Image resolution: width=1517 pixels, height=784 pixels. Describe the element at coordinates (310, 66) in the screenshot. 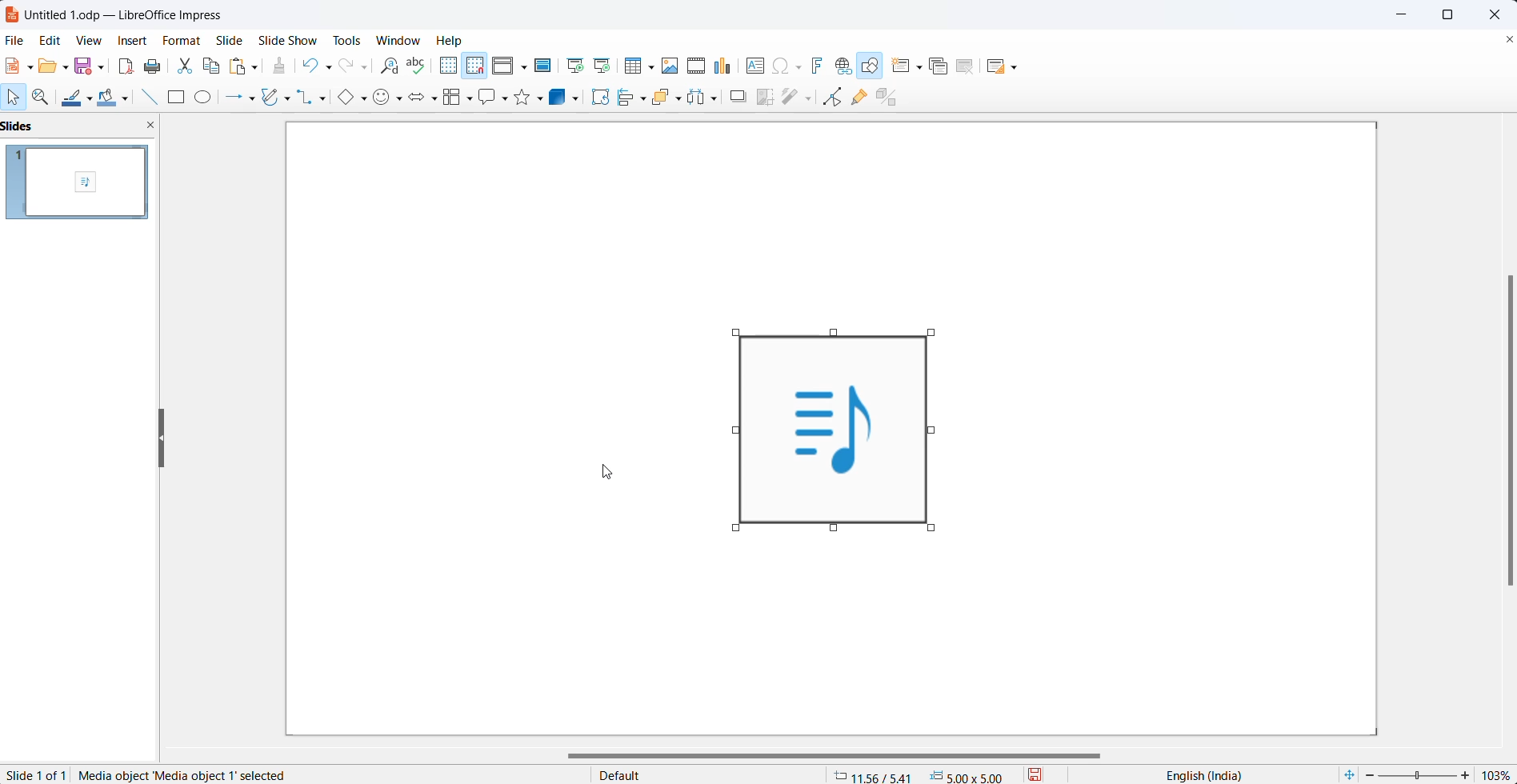

I see `undo` at that location.